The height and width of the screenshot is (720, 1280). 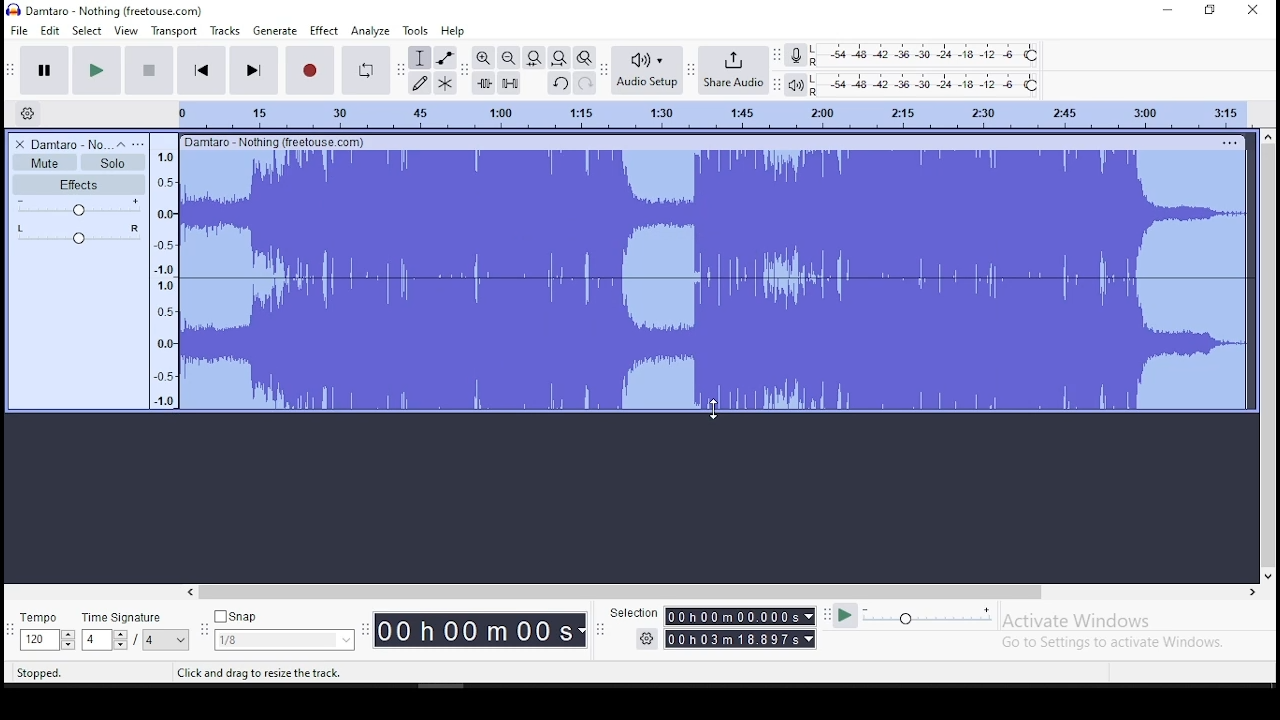 What do you see at coordinates (534, 58) in the screenshot?
I see `fit project to width` at bounding box center [534, 58].